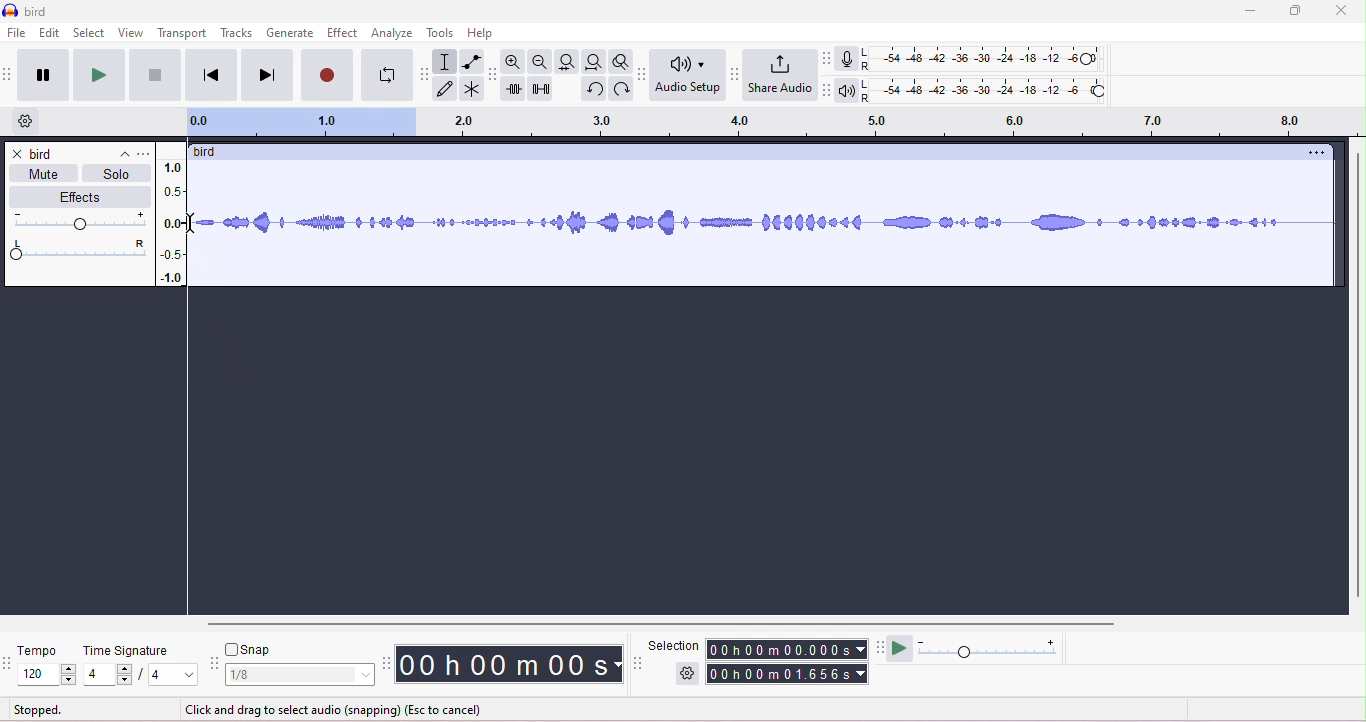 Image resolution: width=1366 pixels, height=722 pixels. What do you see at coordinates (116, 174) in the screenshot?
I see `solo` at bounding box center [116, 174].